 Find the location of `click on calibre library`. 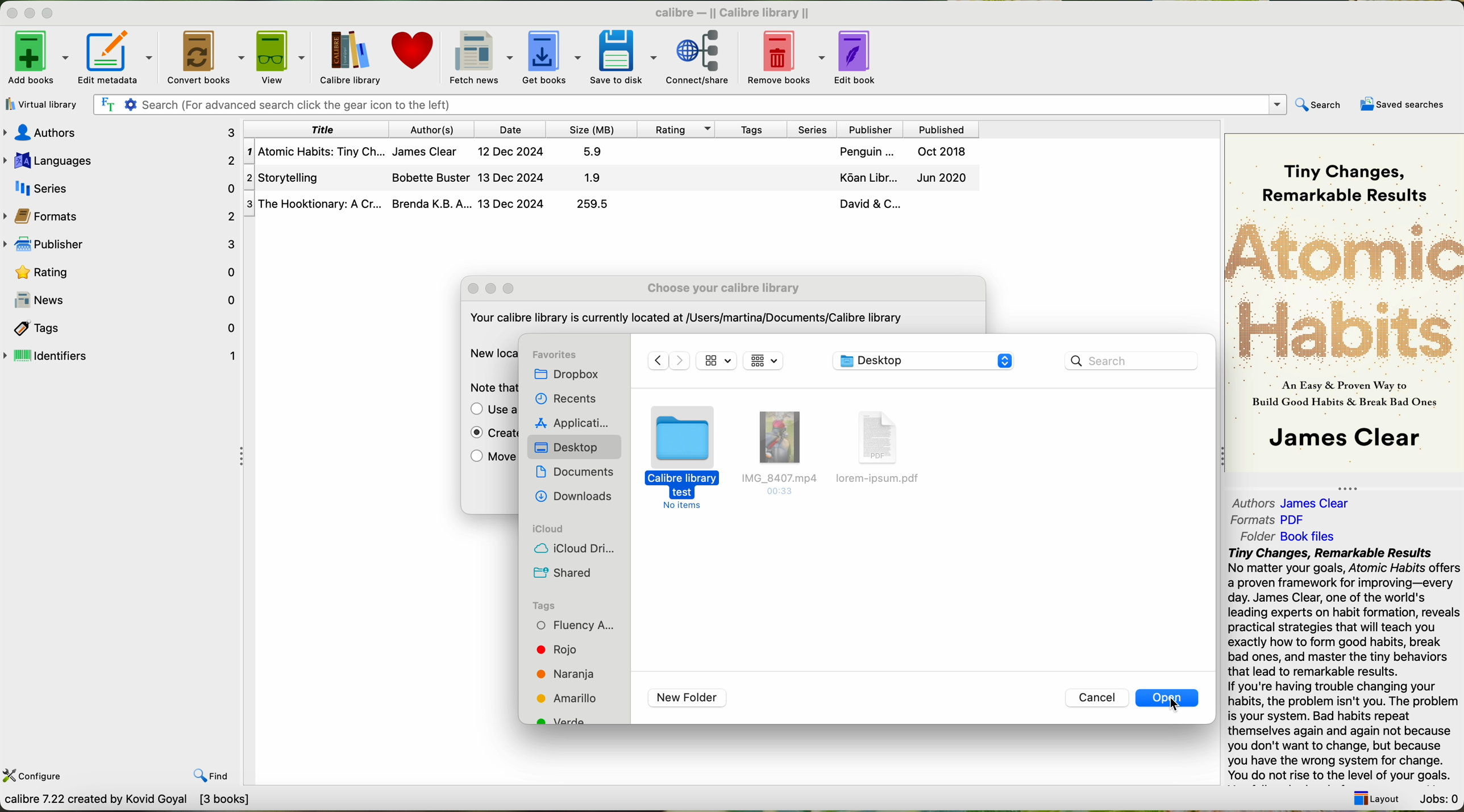

click on calibre library is located at coordinates (348, 57).